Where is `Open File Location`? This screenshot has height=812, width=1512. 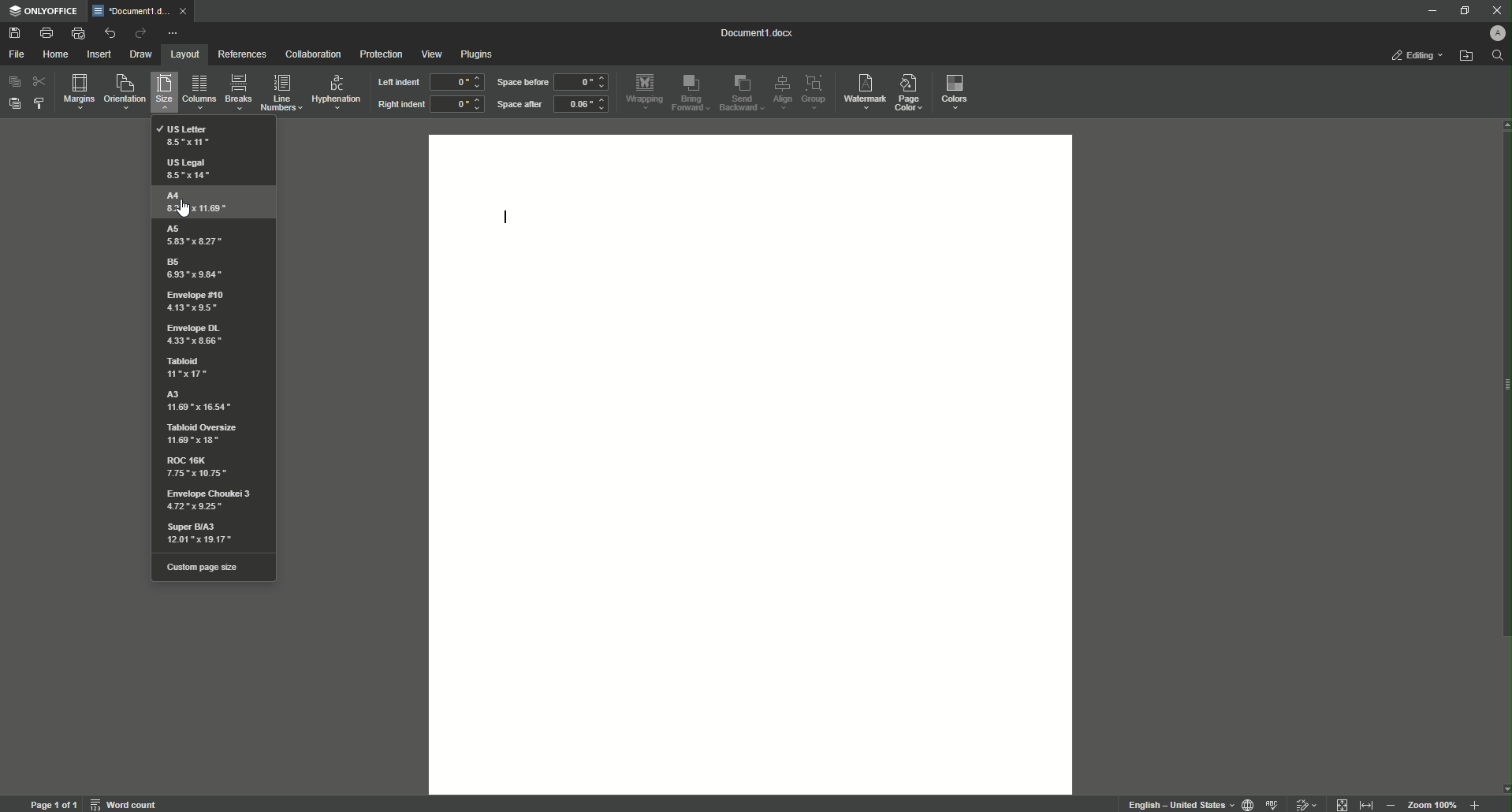 Open File Location is located at coordinates (1465, 58).